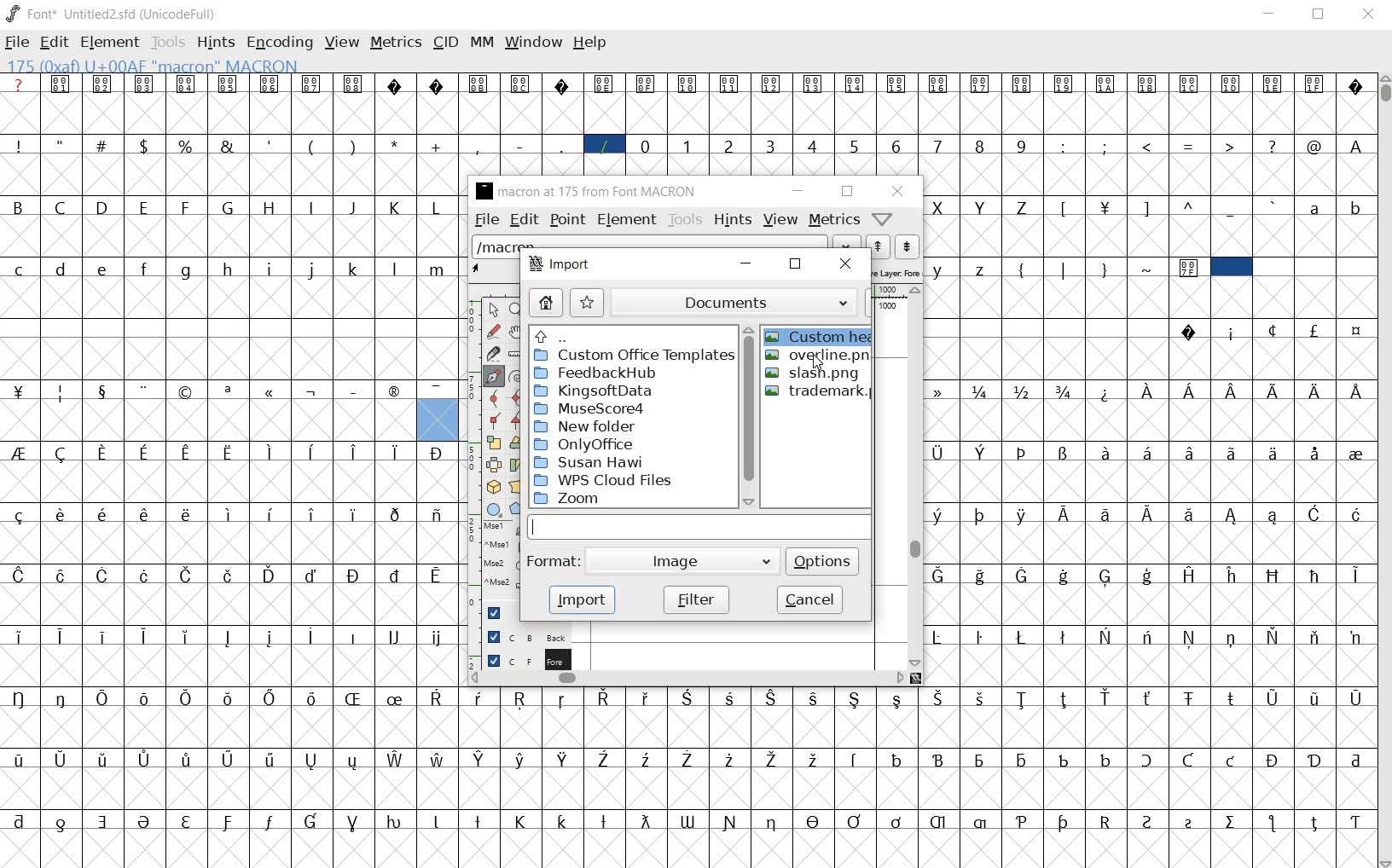 The width and height of the screenshot is (1392, 868). What do you see at coordinates (1273, 759) in the screenshot?
I see `Symbol` at bounding box center [1273, 759].